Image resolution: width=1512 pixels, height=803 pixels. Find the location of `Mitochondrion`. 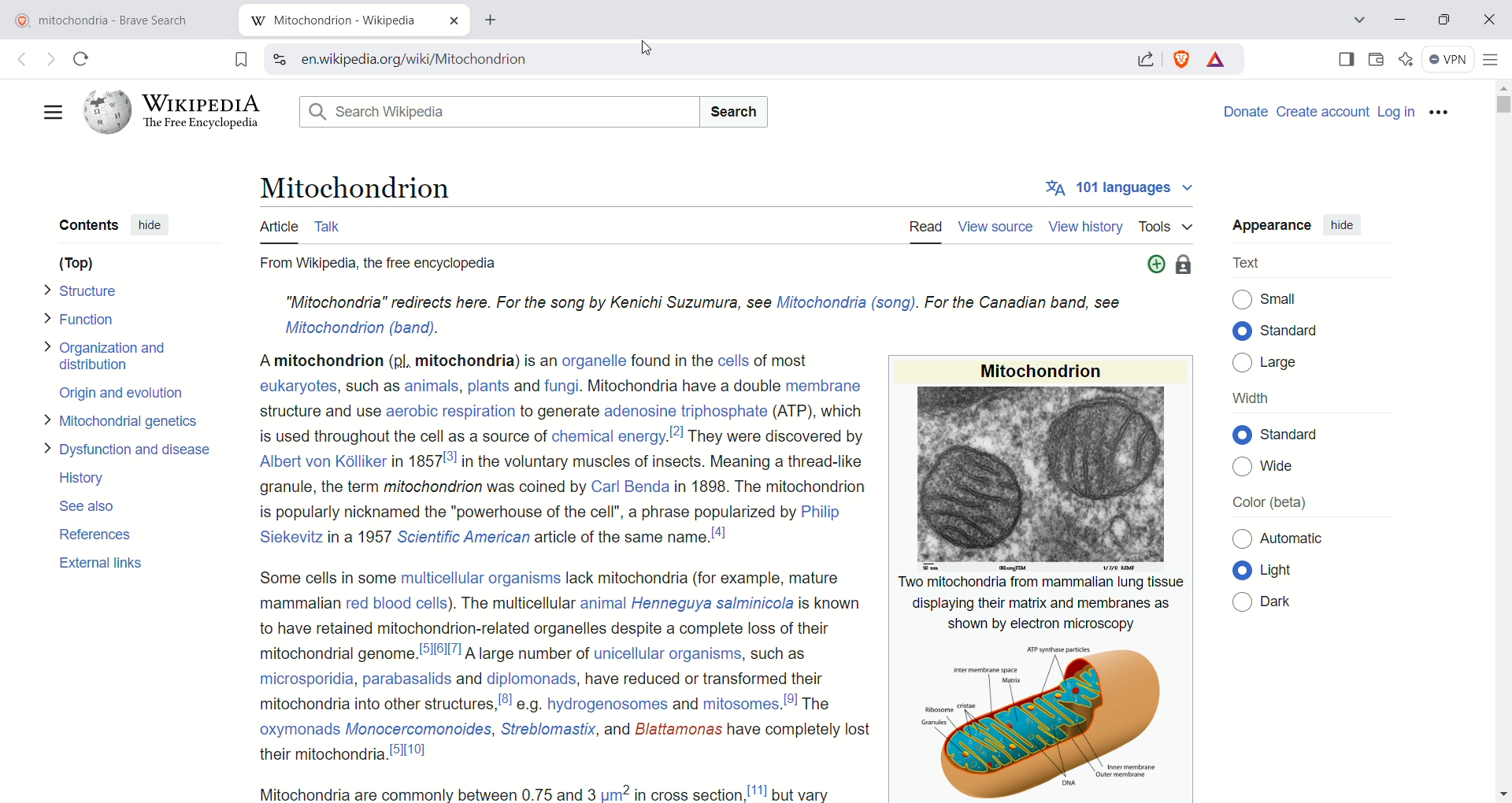

Mitochondrion is located at coordinates (1039, 368).